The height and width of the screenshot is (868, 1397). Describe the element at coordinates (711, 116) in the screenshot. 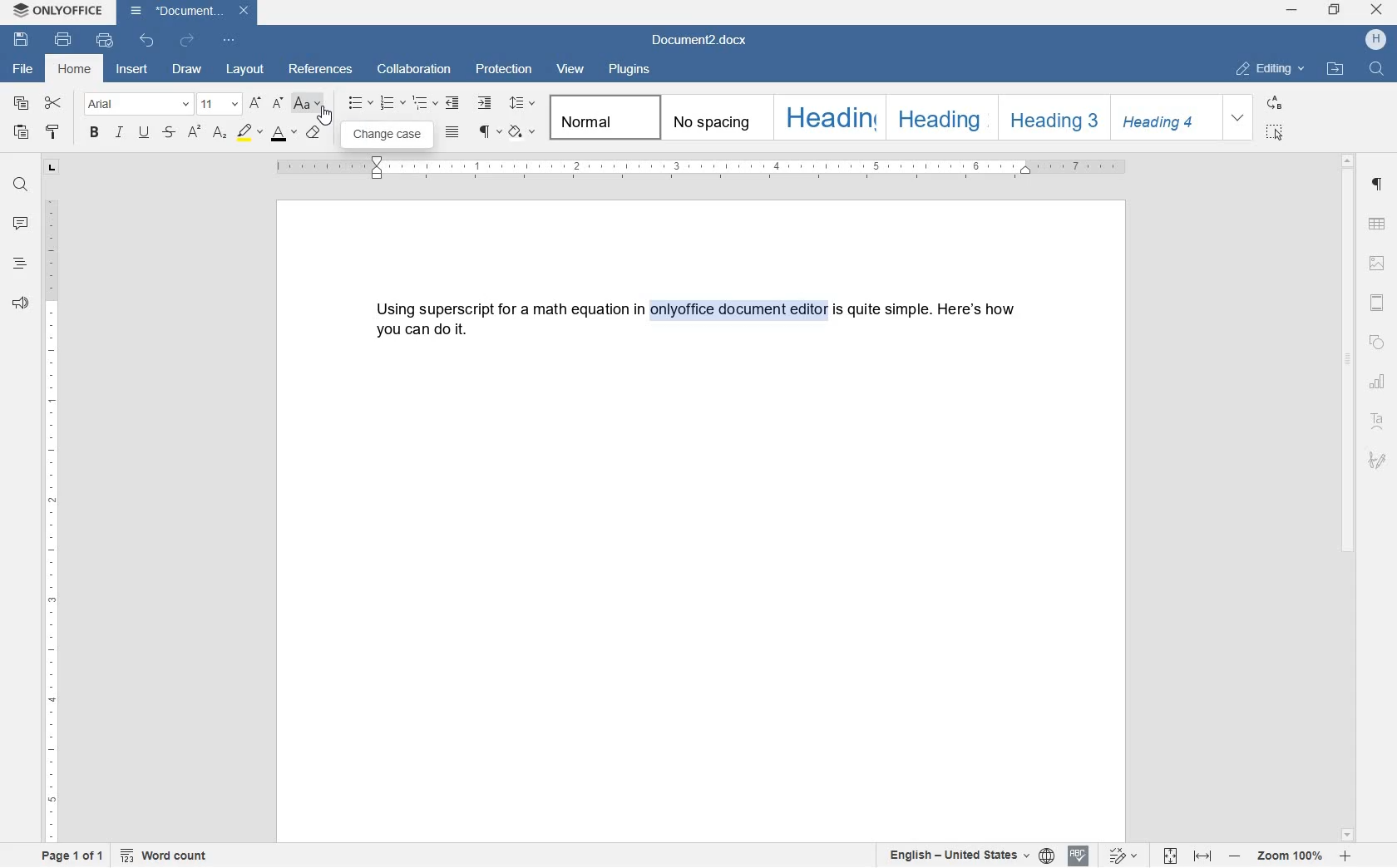

I see `No spacing` at that location.